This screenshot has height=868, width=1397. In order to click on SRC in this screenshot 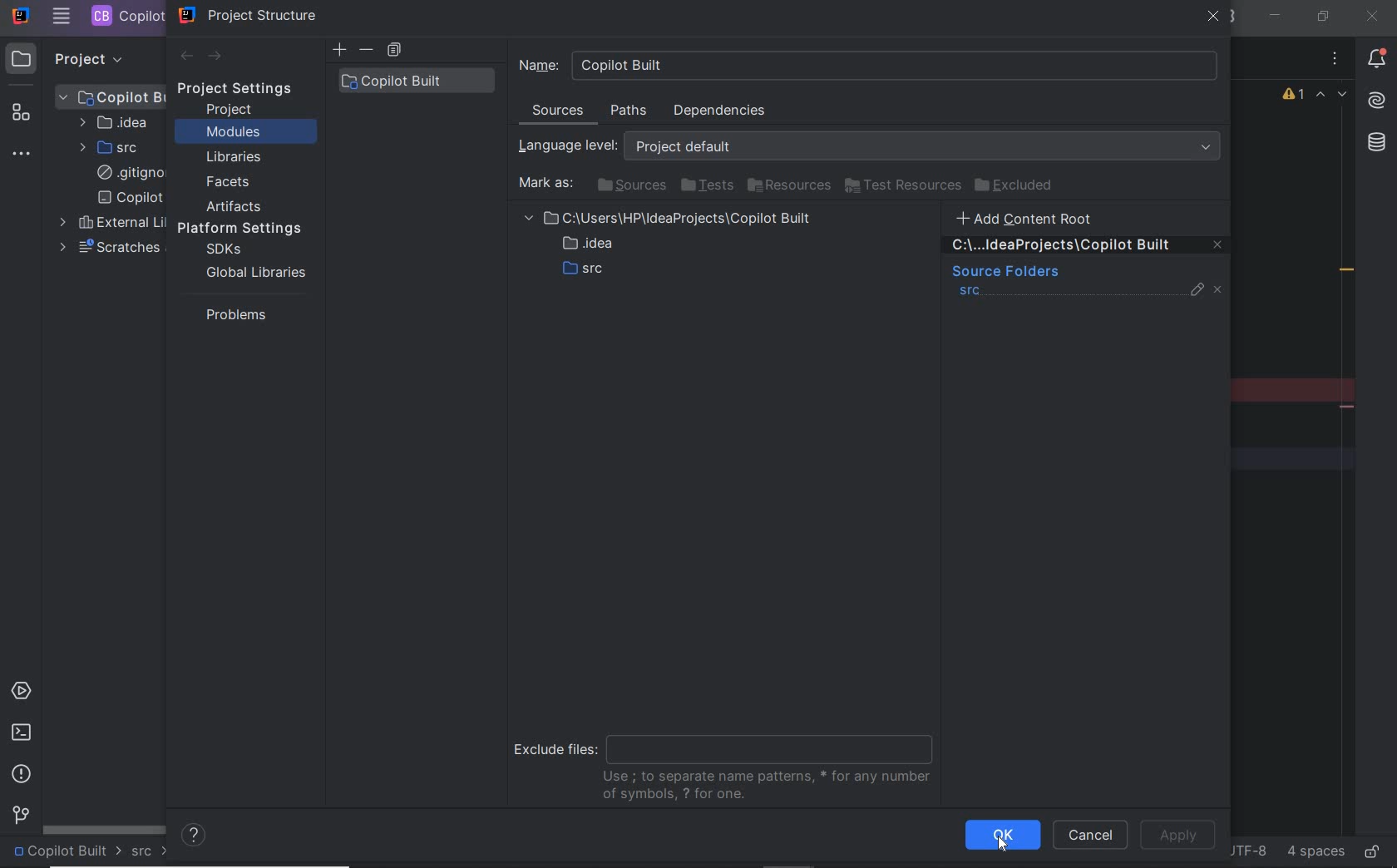, I will do `click(111, 147)`.